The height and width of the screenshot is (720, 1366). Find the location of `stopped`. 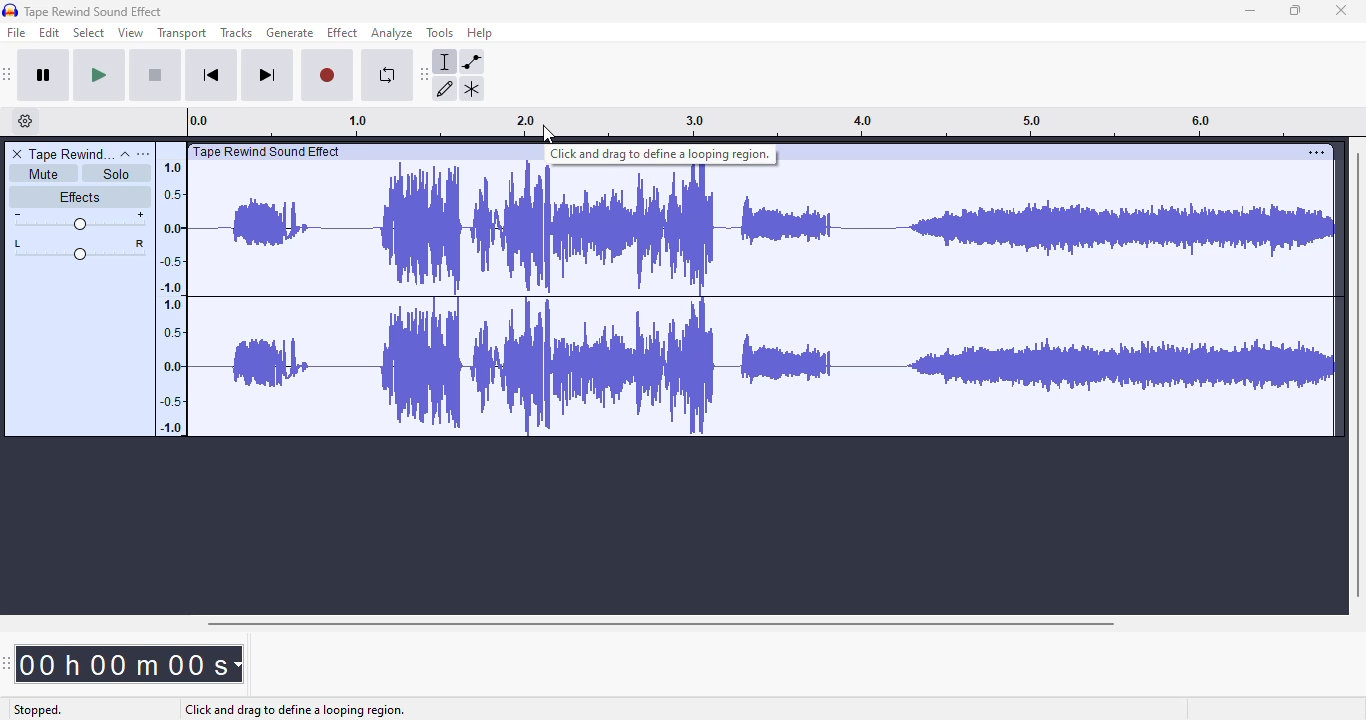

stopped is located at coordinates (37, 711).